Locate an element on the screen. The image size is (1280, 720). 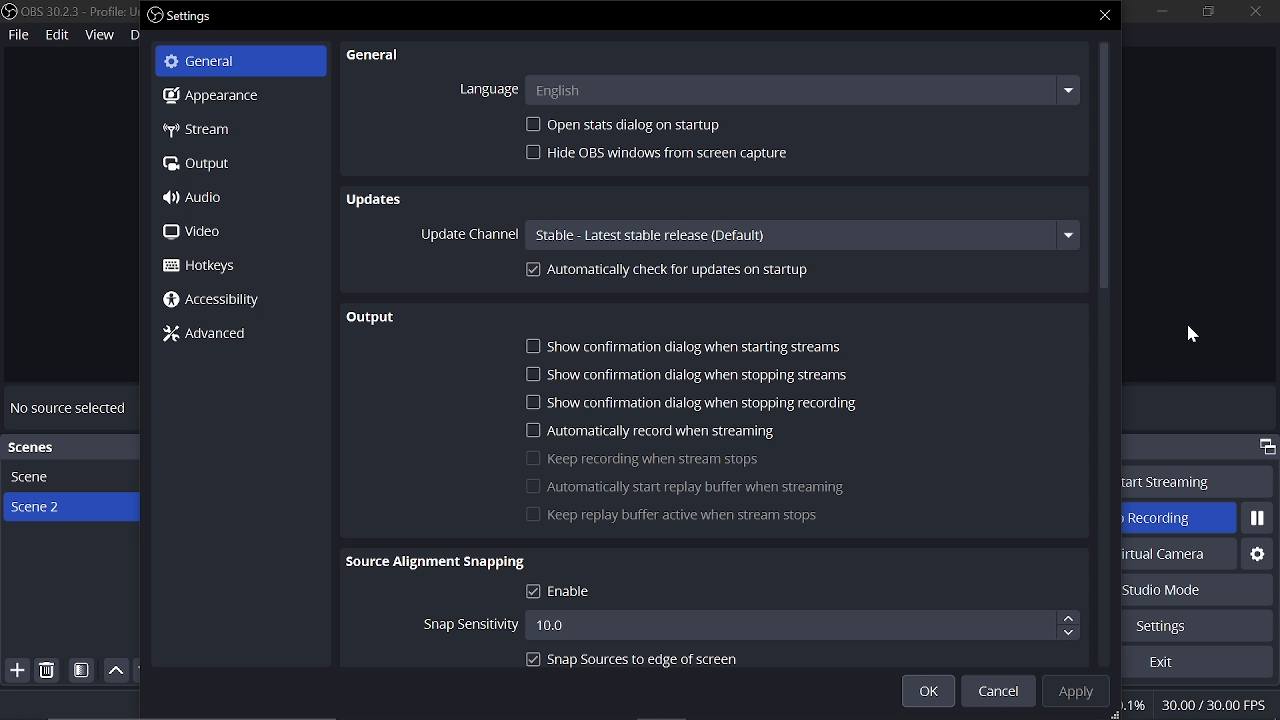
file is located at coordinates (18, 36).